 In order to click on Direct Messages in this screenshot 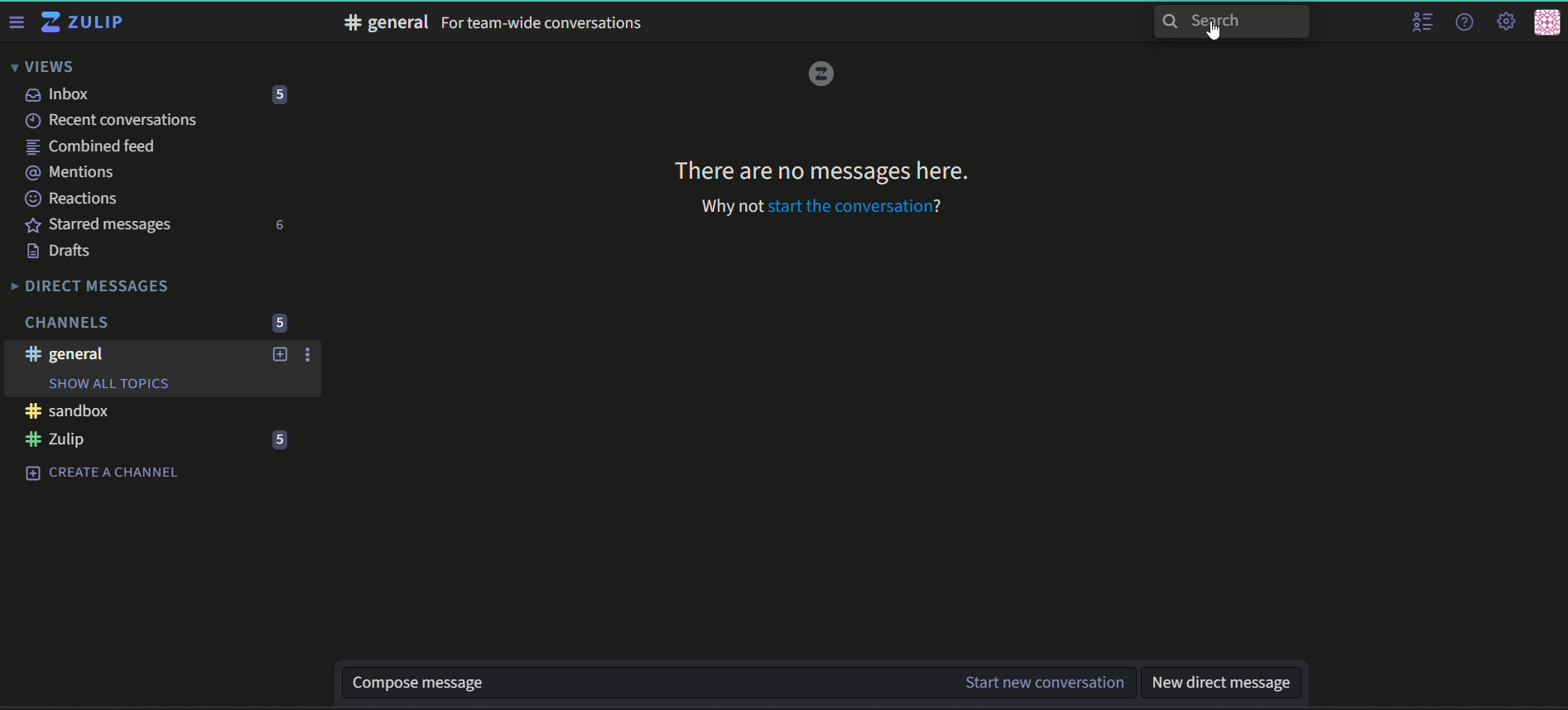, I will do `click(92, 286)`.